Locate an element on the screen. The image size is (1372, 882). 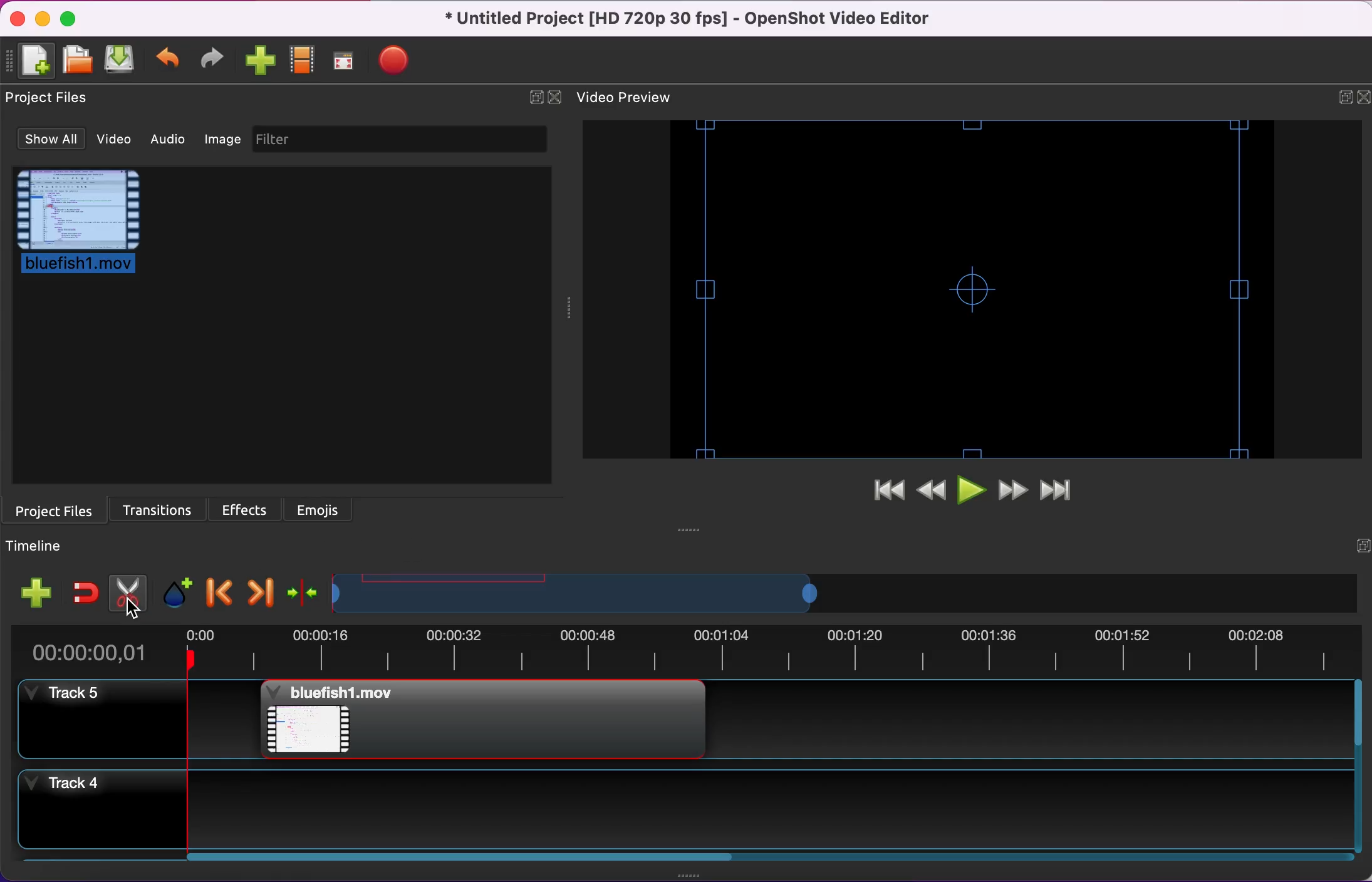
video preview is located at coordinates (632, 98).